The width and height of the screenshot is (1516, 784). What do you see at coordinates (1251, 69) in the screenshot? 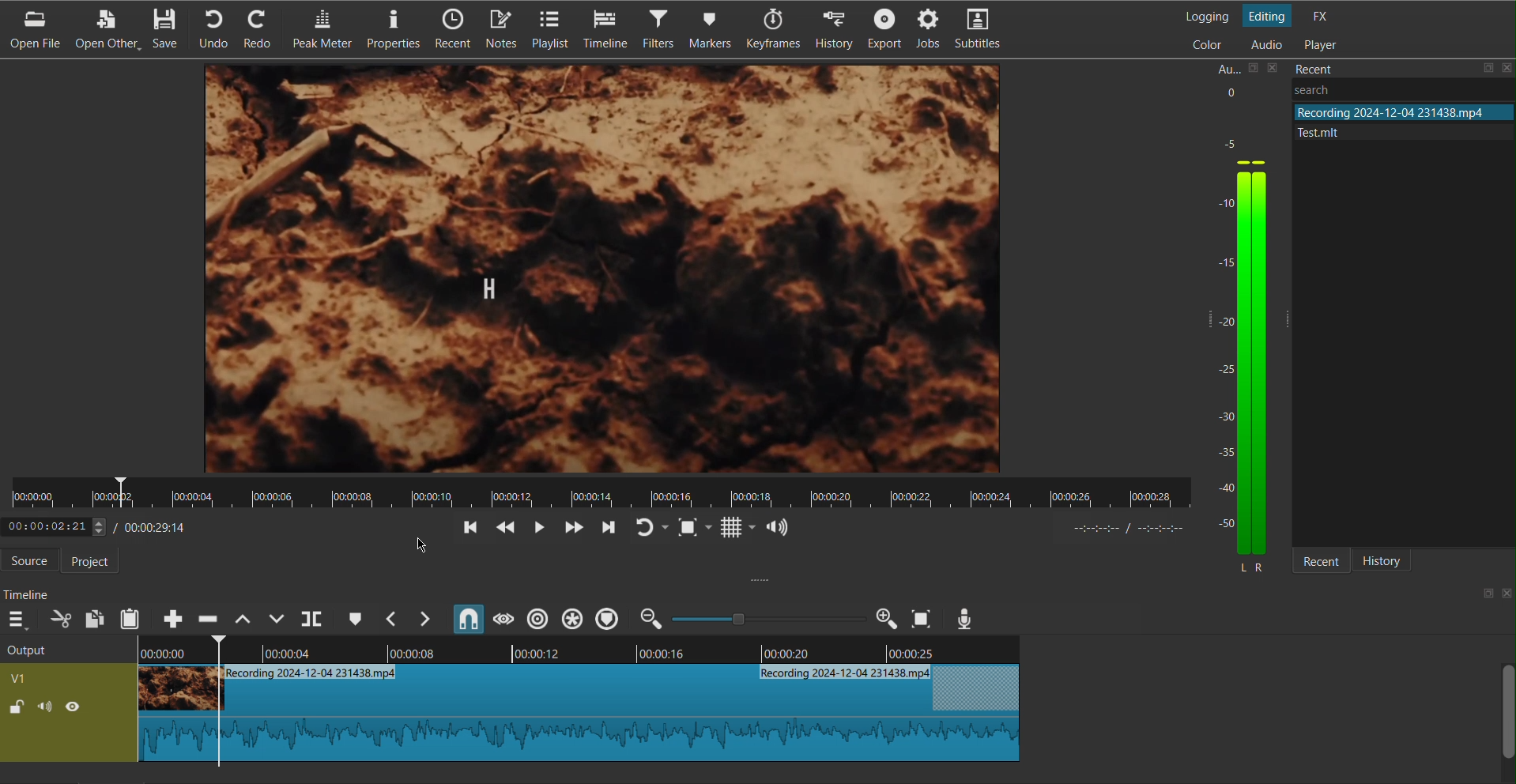
I see `save` at bounding box center [1251, 69].